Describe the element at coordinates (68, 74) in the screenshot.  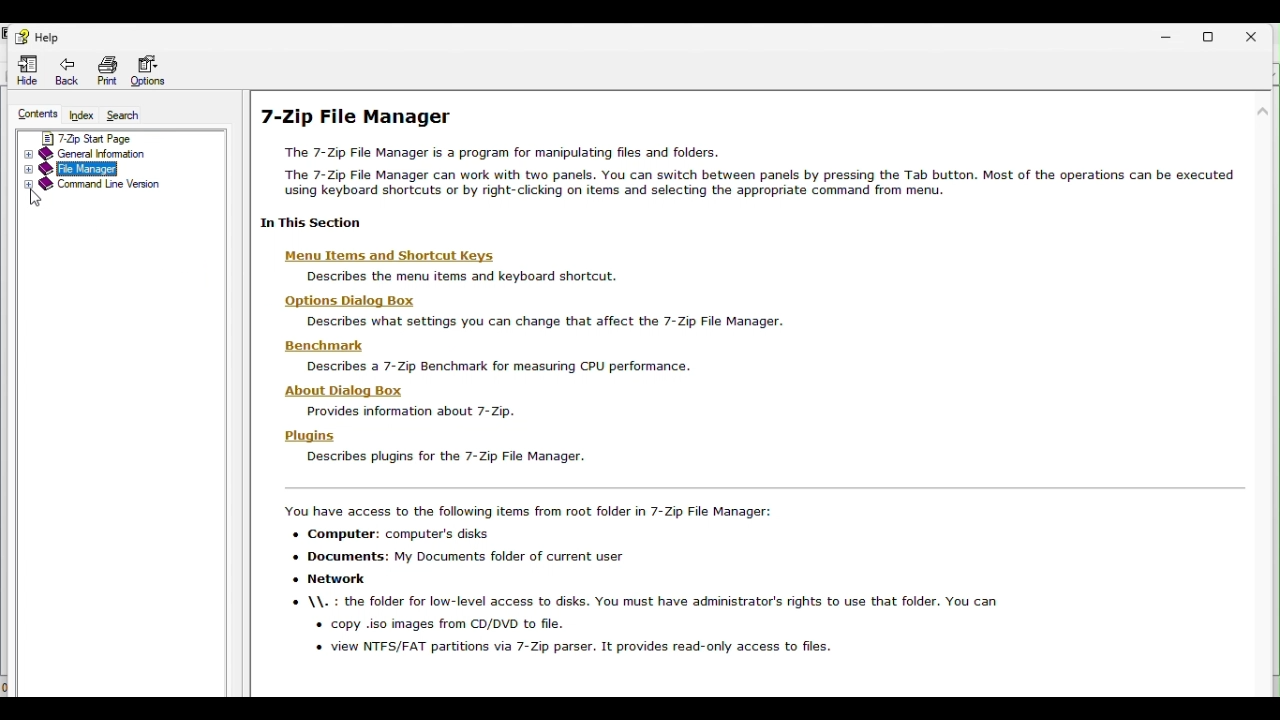
I see `Back` at that location.